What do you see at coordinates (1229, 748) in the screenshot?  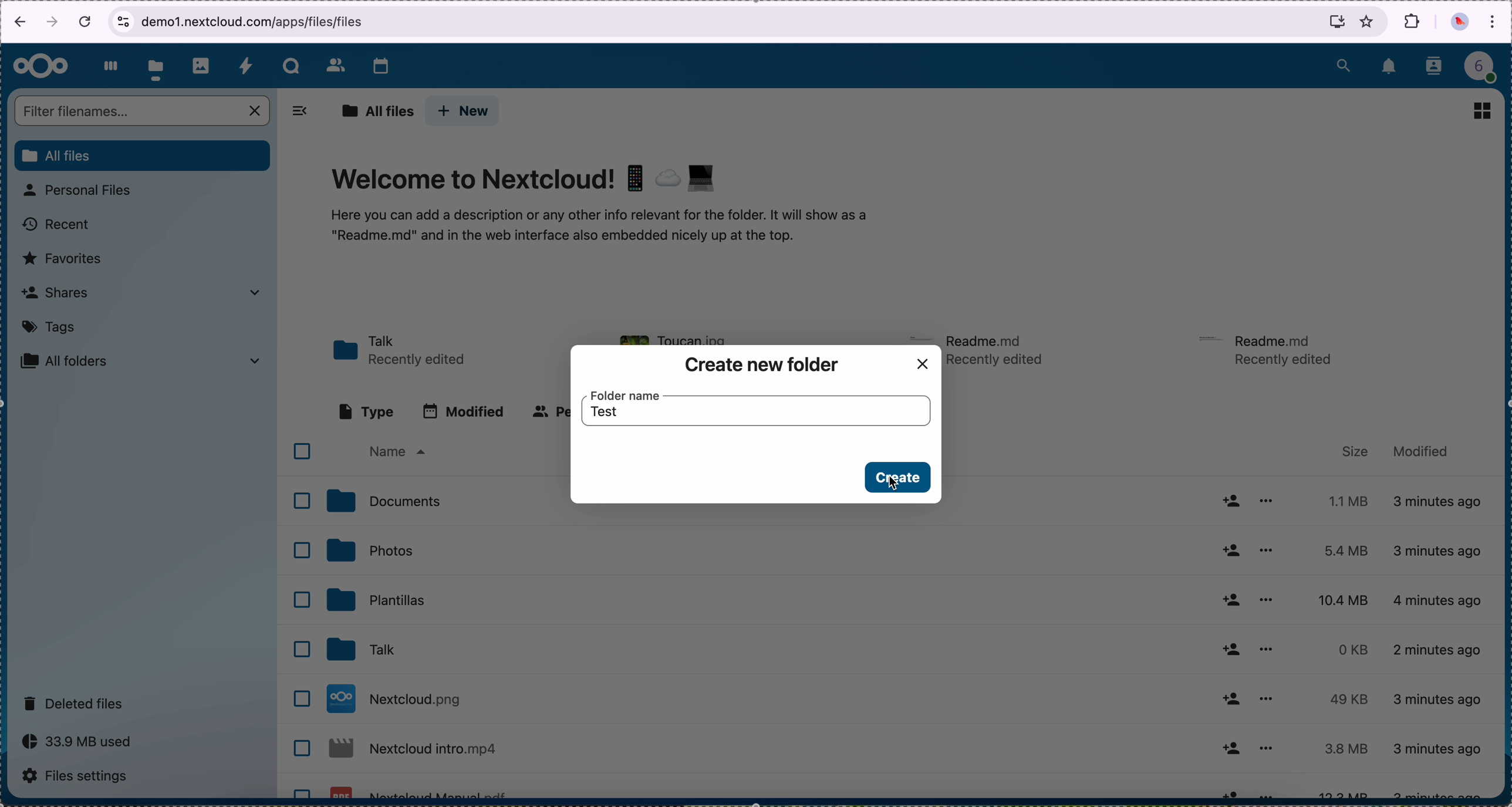 I see `share` at bounding box center [1229, 748].